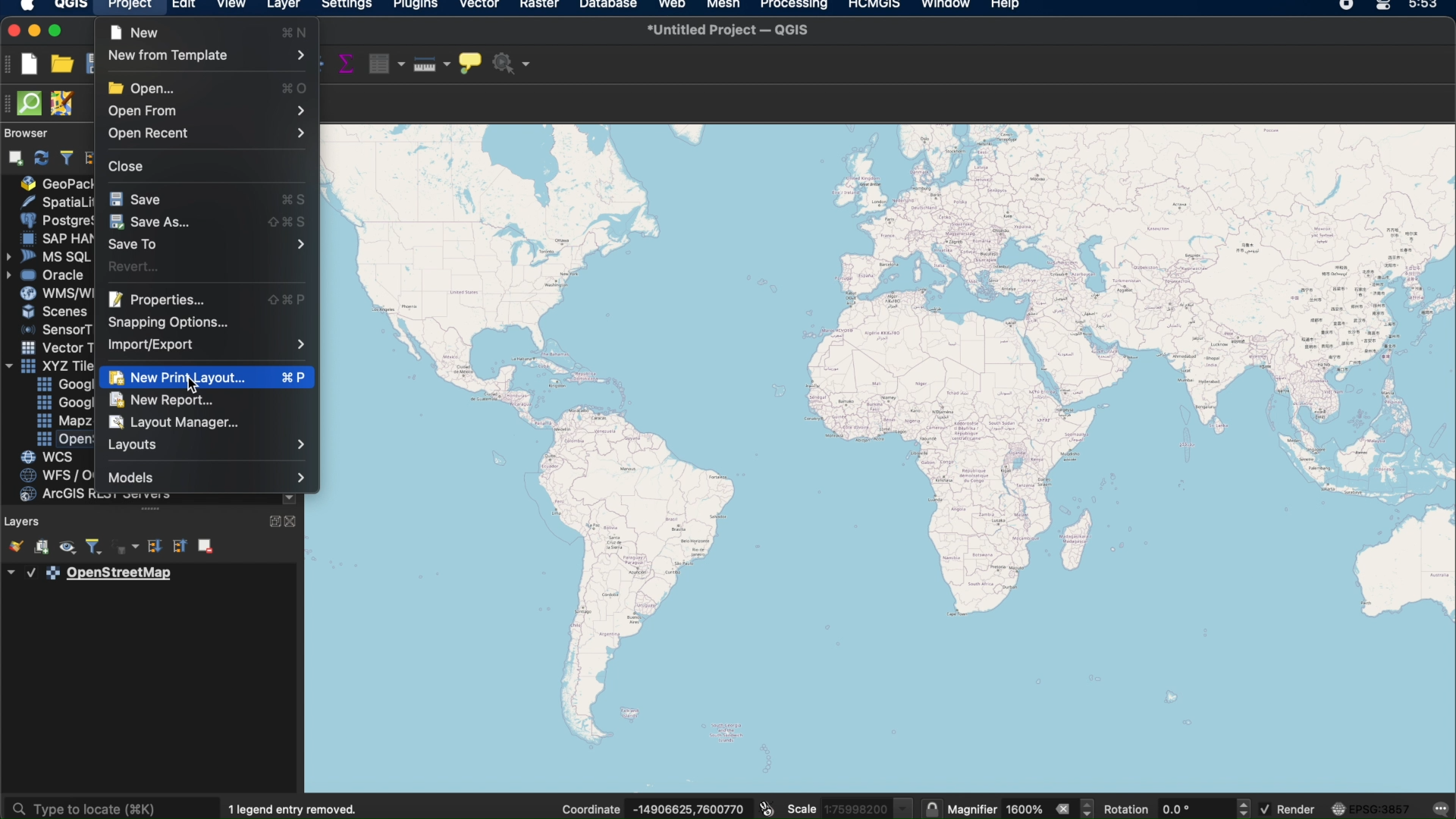 This screenshot has height=819, width=1456. What do you see at coordinates (129, 6) in the screenshot?
I see `project` at bounding box center [129, 6].